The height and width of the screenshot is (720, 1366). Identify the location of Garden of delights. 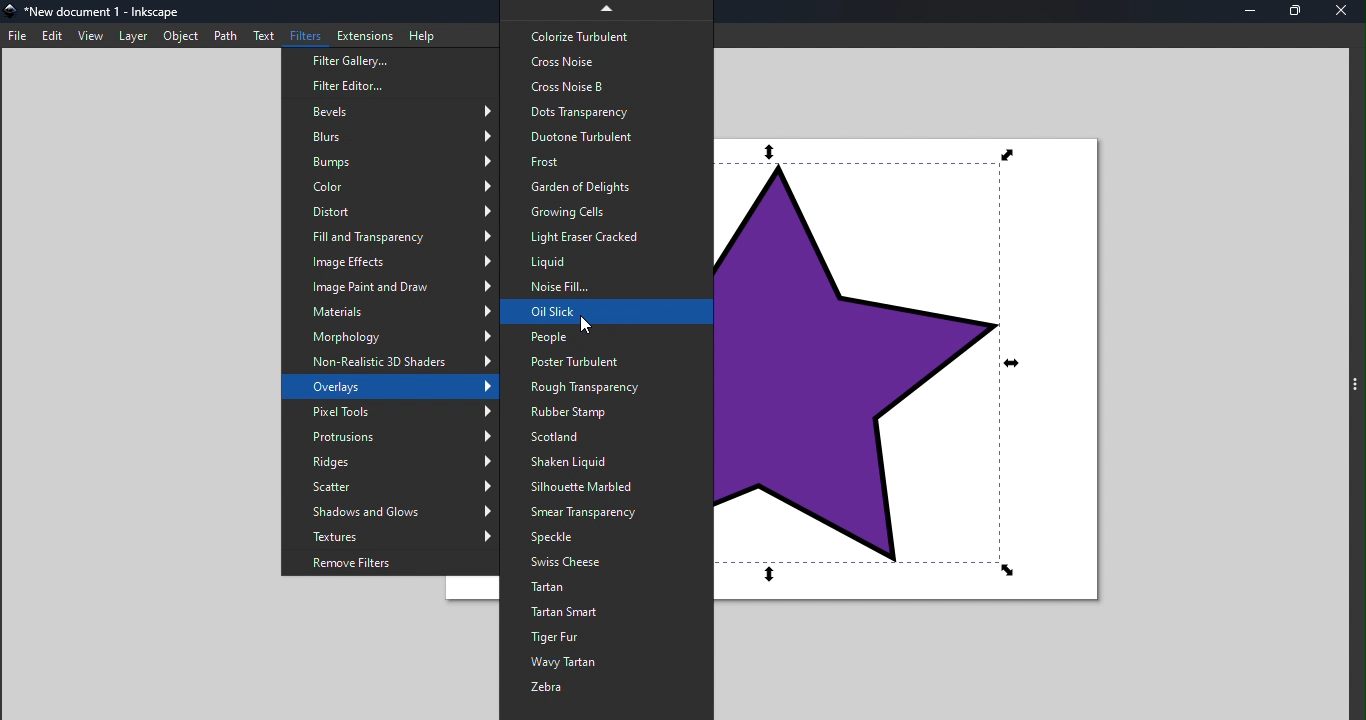
(602, 184).